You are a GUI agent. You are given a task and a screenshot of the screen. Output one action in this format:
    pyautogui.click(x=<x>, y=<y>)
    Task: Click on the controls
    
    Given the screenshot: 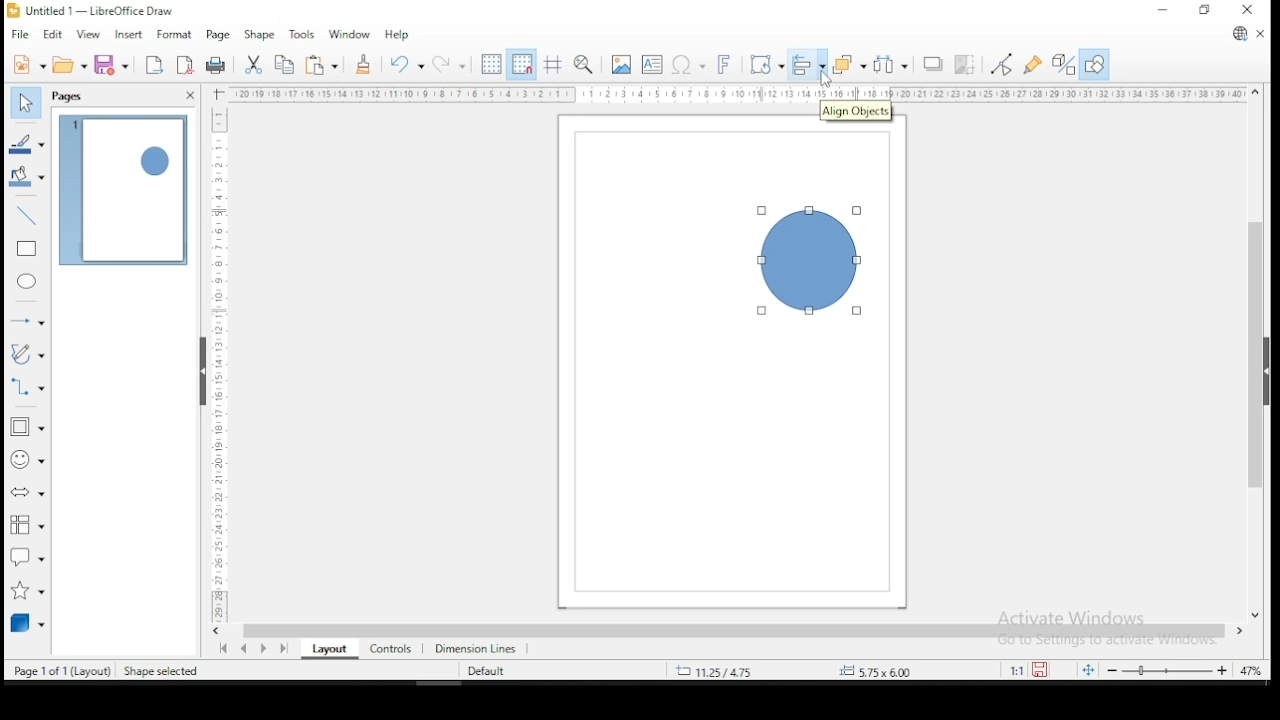 What is the action you would take?
    pyautogui.click(x=388, y=647)
    